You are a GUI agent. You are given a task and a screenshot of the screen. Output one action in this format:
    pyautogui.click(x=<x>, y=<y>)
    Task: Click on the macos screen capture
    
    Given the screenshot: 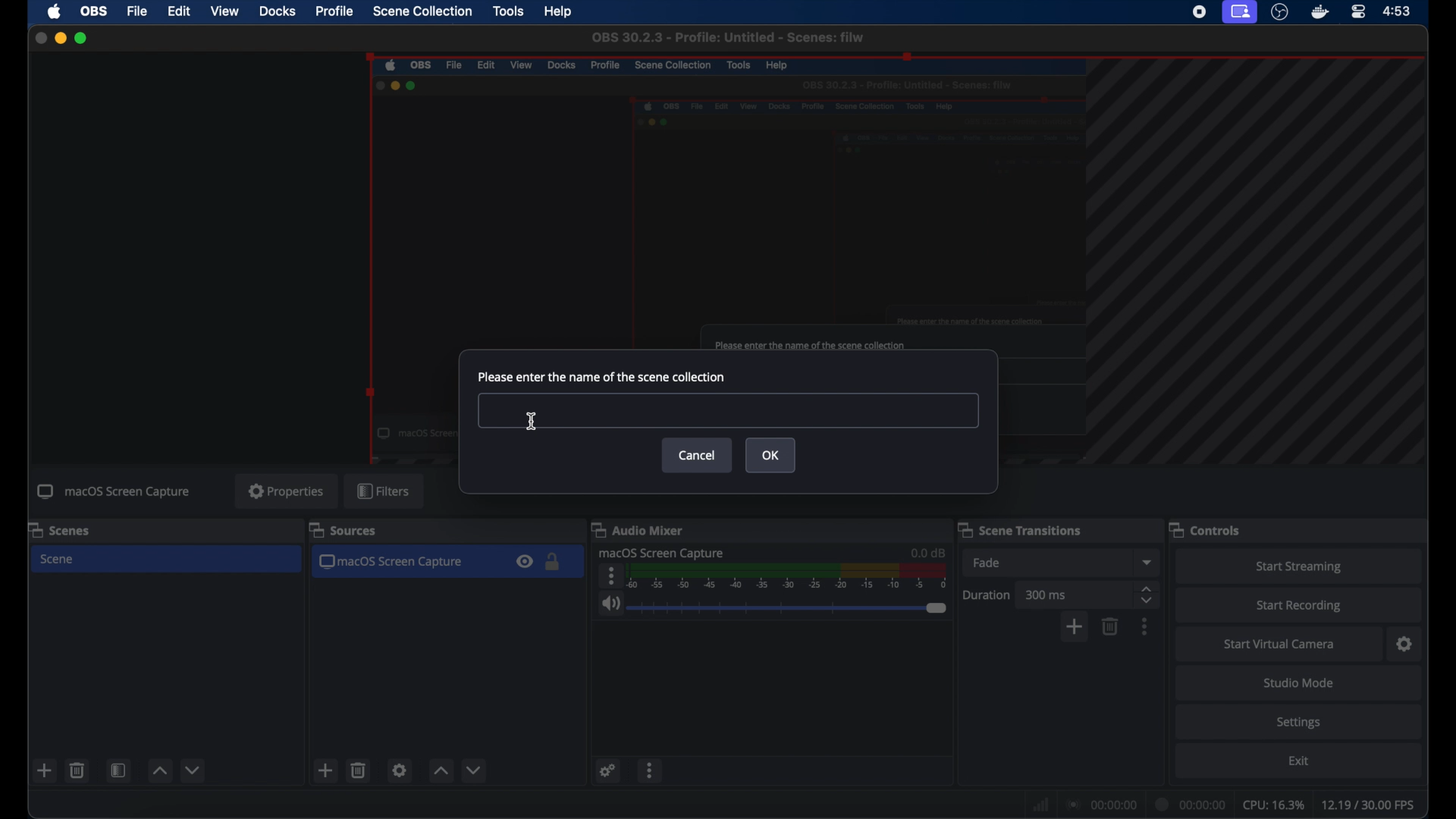 What is the action you would take?
    pyautogui.click(x=395, y=563)
    